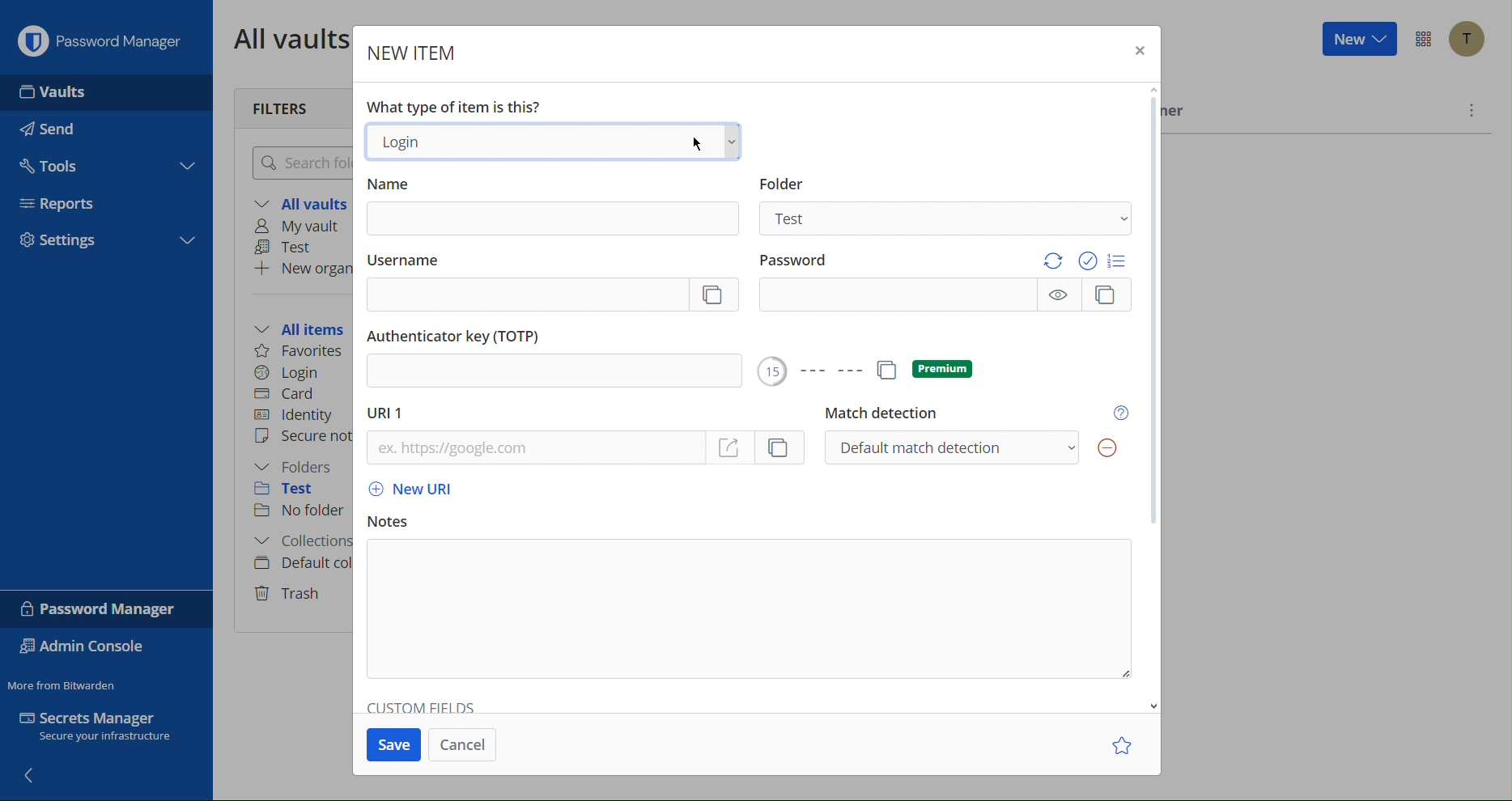 The width and height of the screenshot is (1512, 801). I want to click on , so click(785, 184).